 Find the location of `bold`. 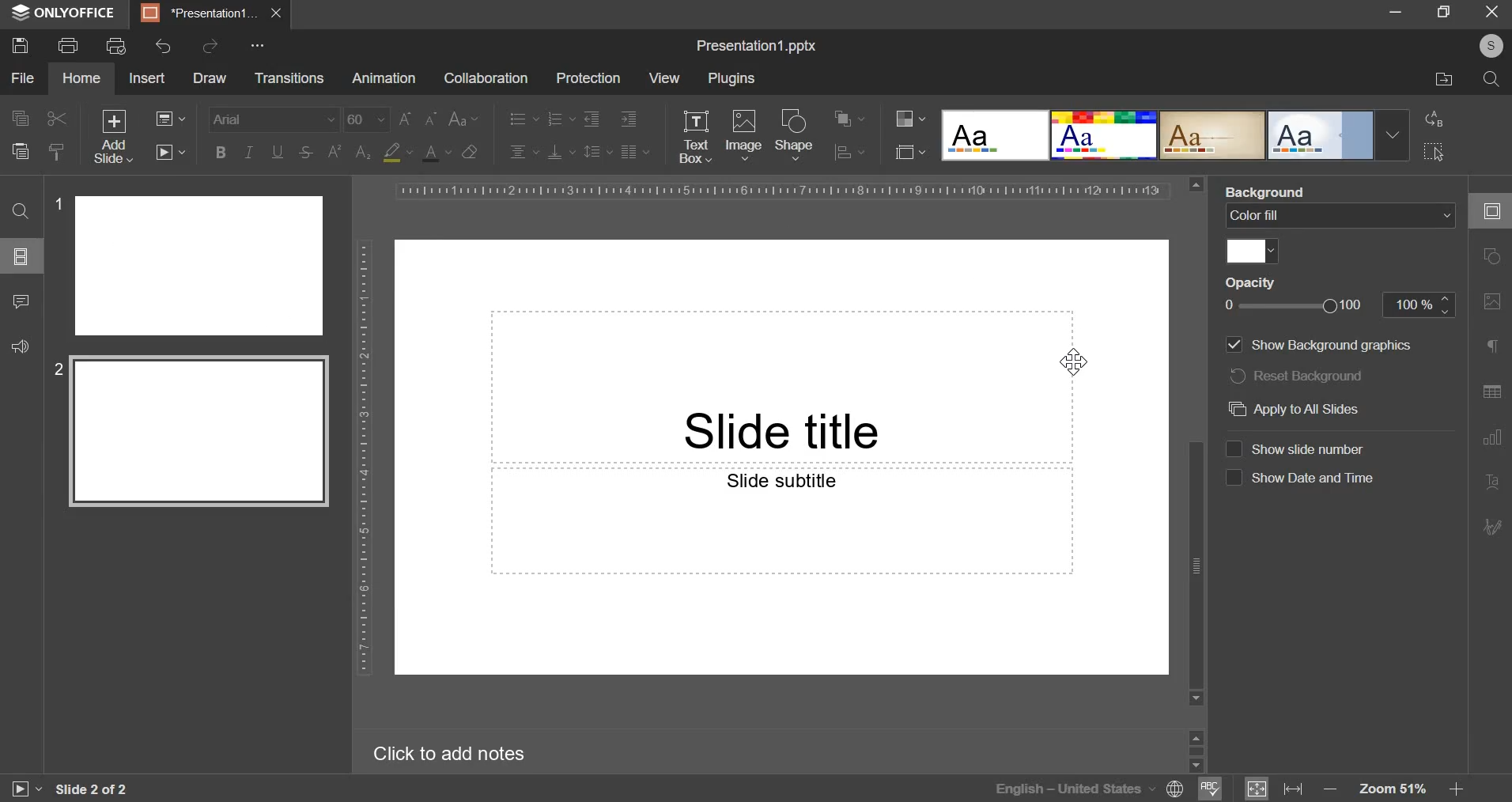

bold is located at coordinates (221, 150).